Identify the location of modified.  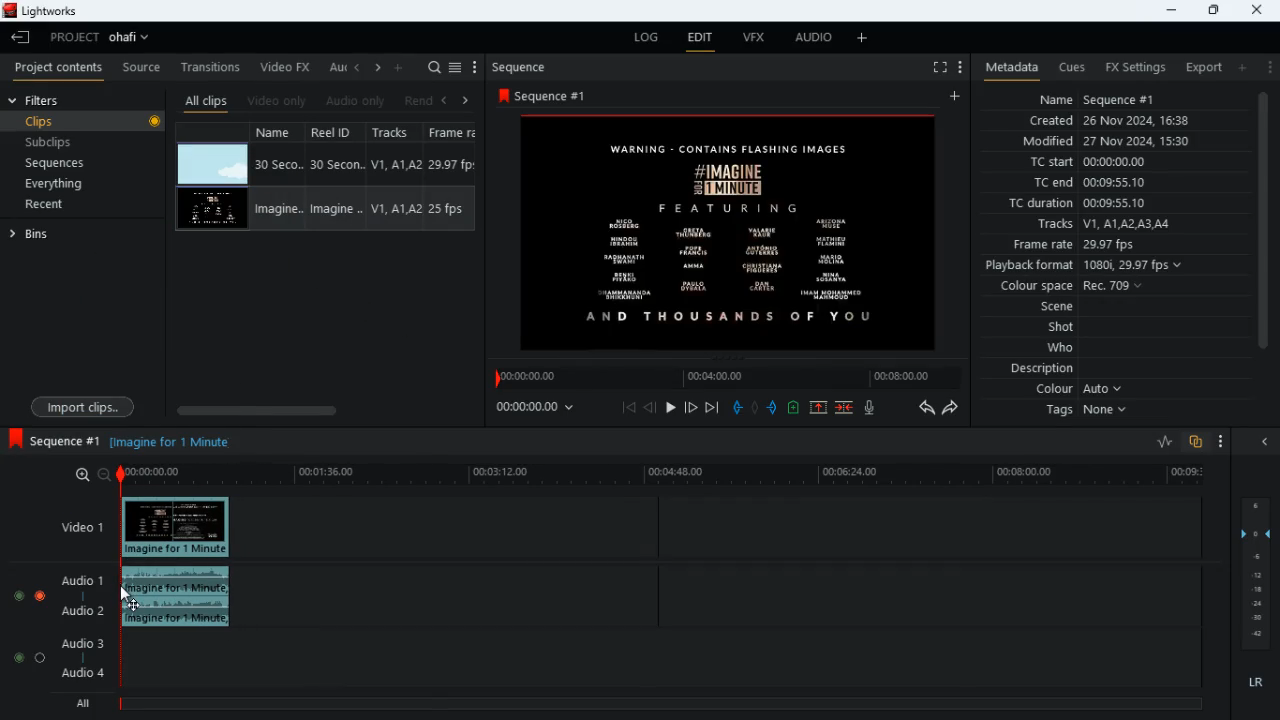
(1119, 143).